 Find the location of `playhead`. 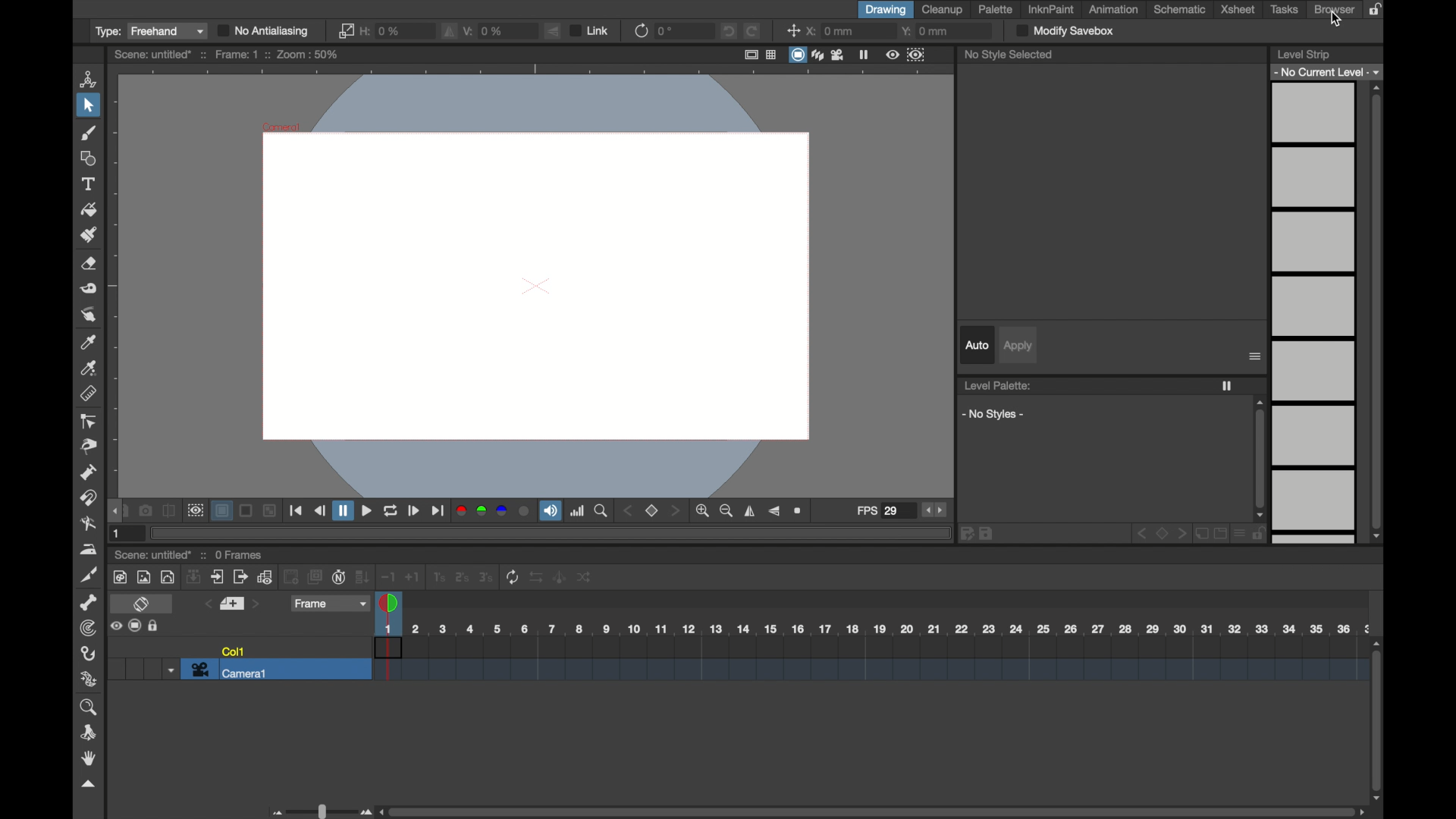

playhead is located at coordinates (390, 605).